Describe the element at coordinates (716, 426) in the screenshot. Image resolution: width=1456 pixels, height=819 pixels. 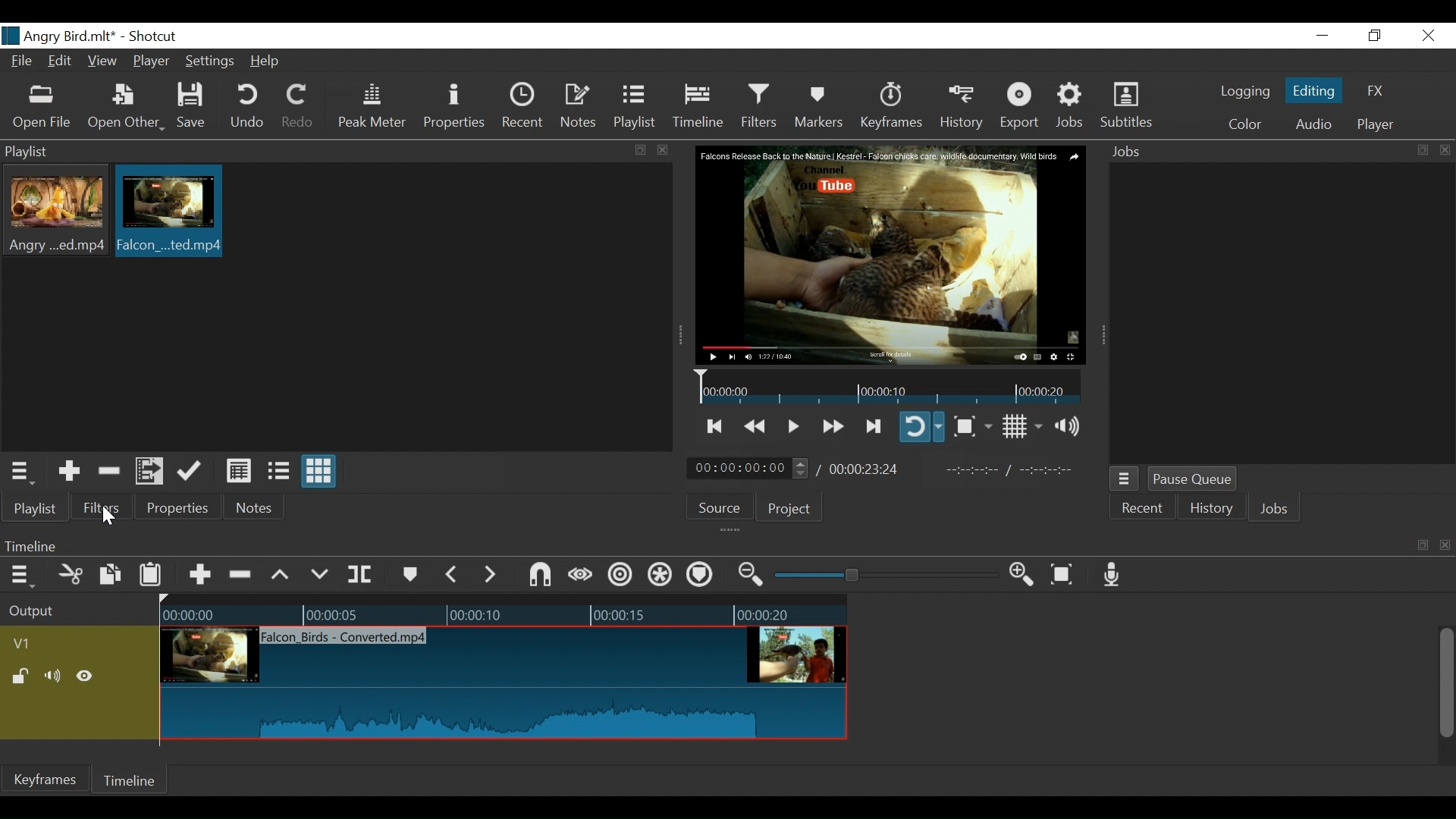
I see `Skip to the previous point` at that location.